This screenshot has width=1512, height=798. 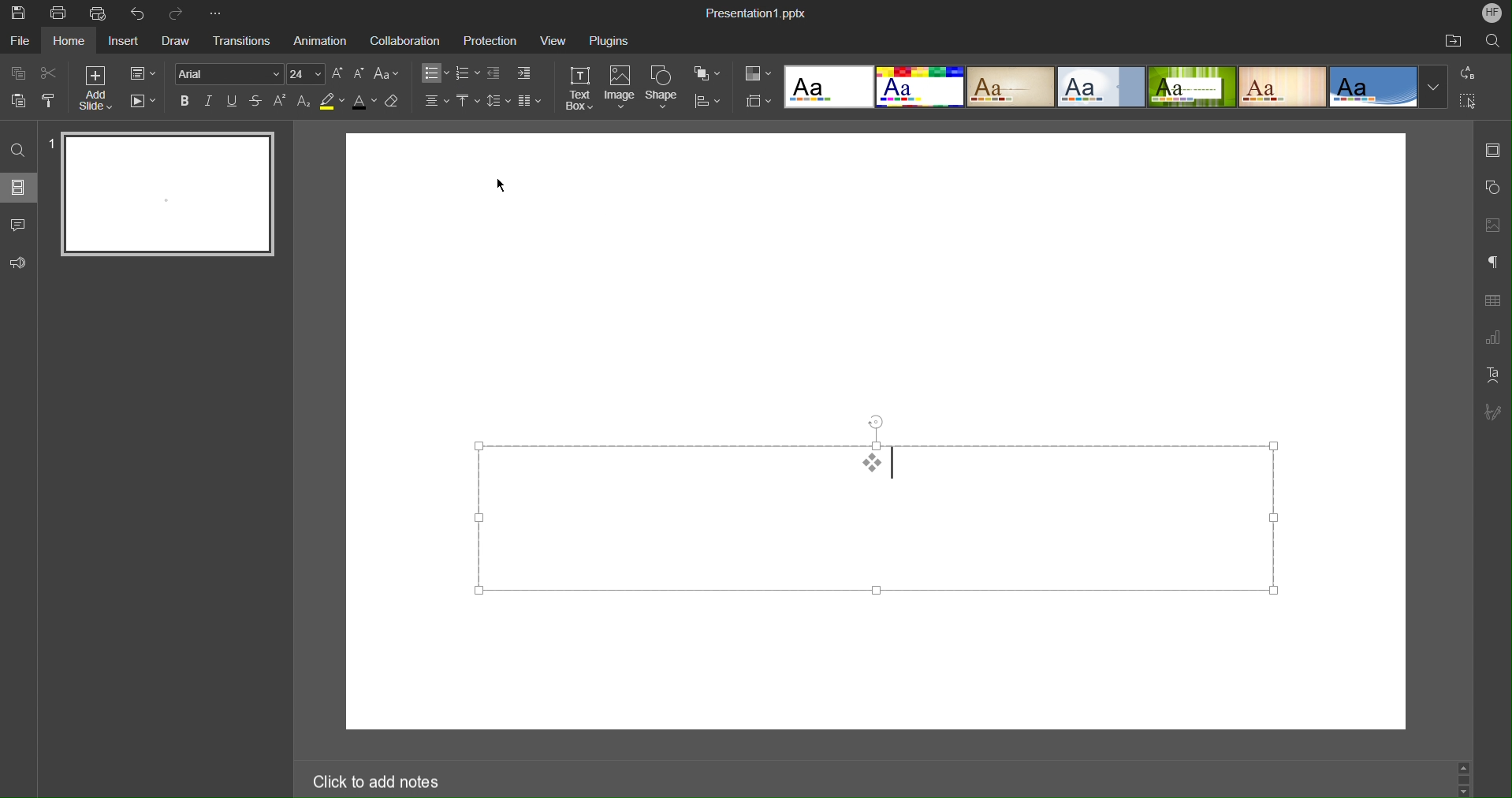 I want to click on Comment, so click(x=19, y=225).